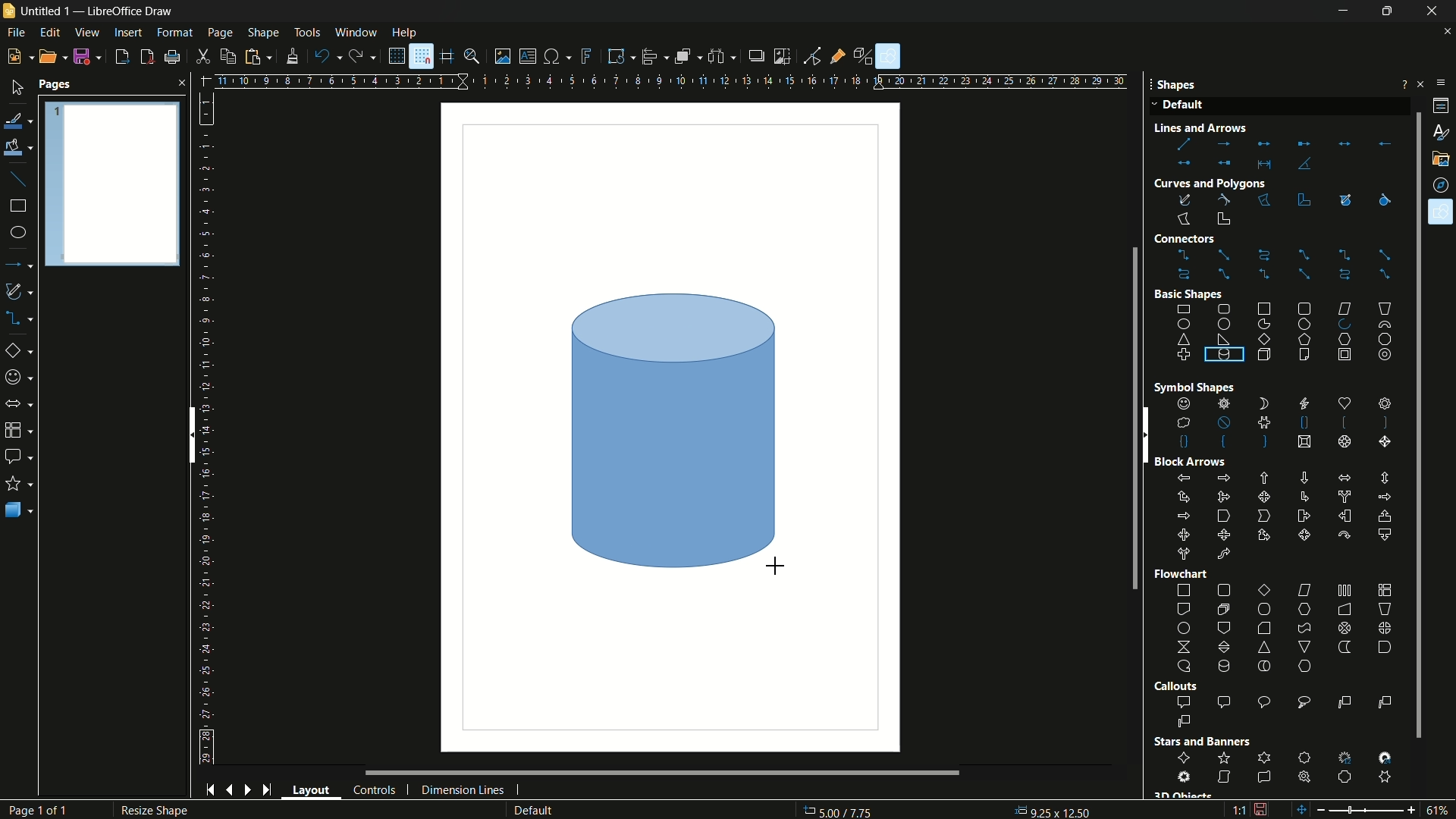  Describe the element at coordinates (1284, 265) in the screenshot. I see `connectors` at that location.